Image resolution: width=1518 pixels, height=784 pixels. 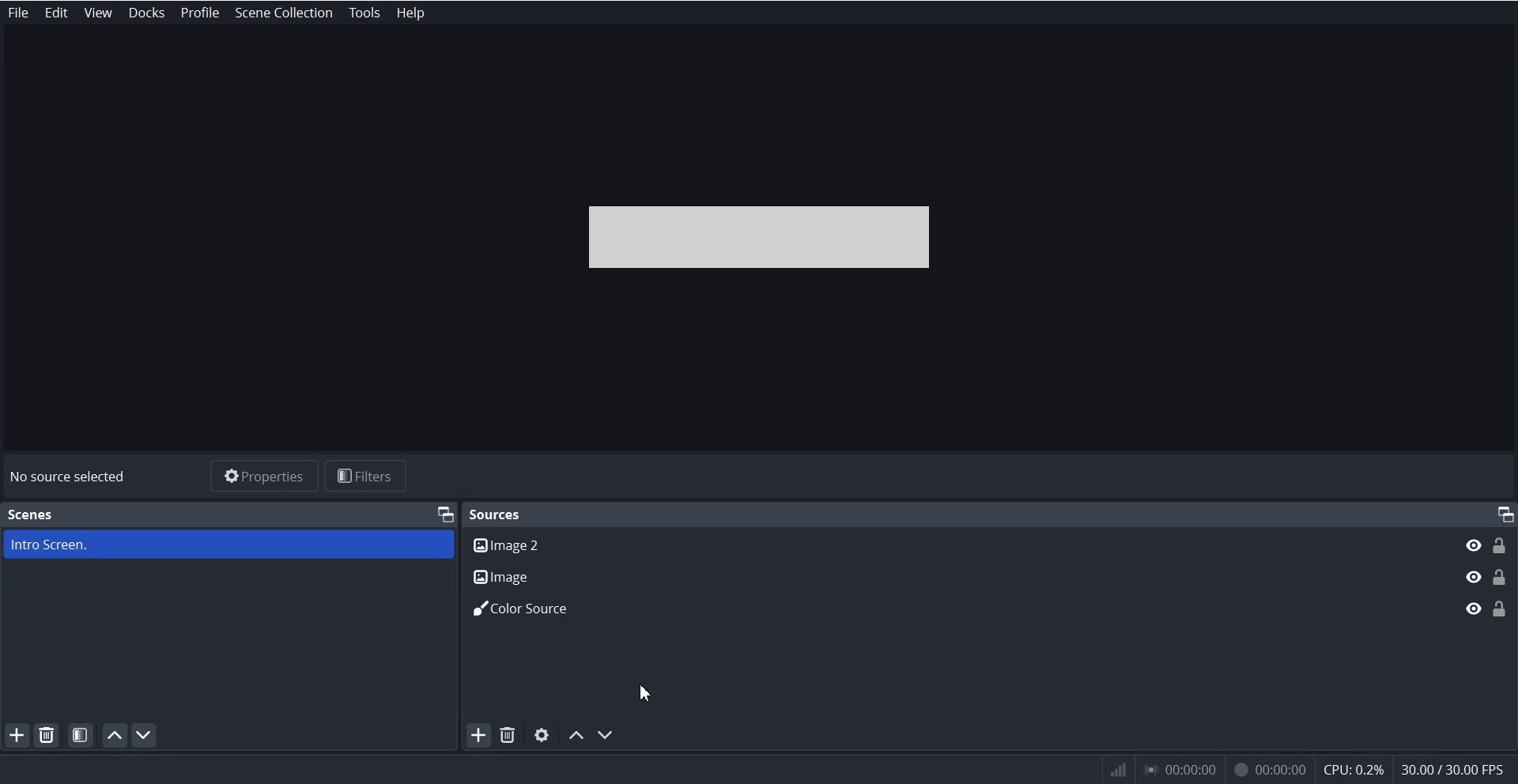 I want to click on No source selected, so click(x=69, y=477).